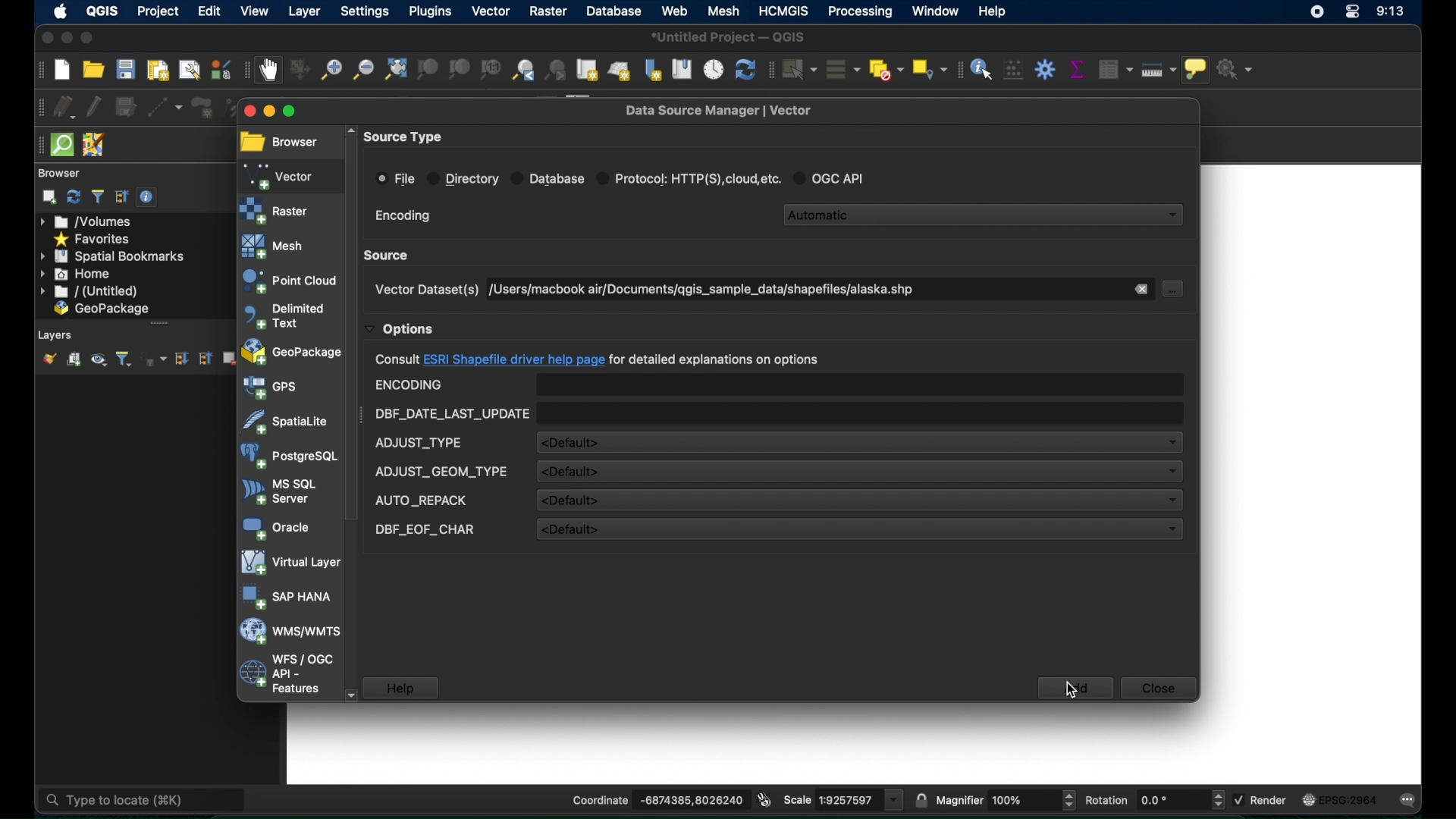 This screenshot has height=819, width=1456. Describe the element at coordinates (286, 422) in the screenshot. I see `spatiallite` at that location.